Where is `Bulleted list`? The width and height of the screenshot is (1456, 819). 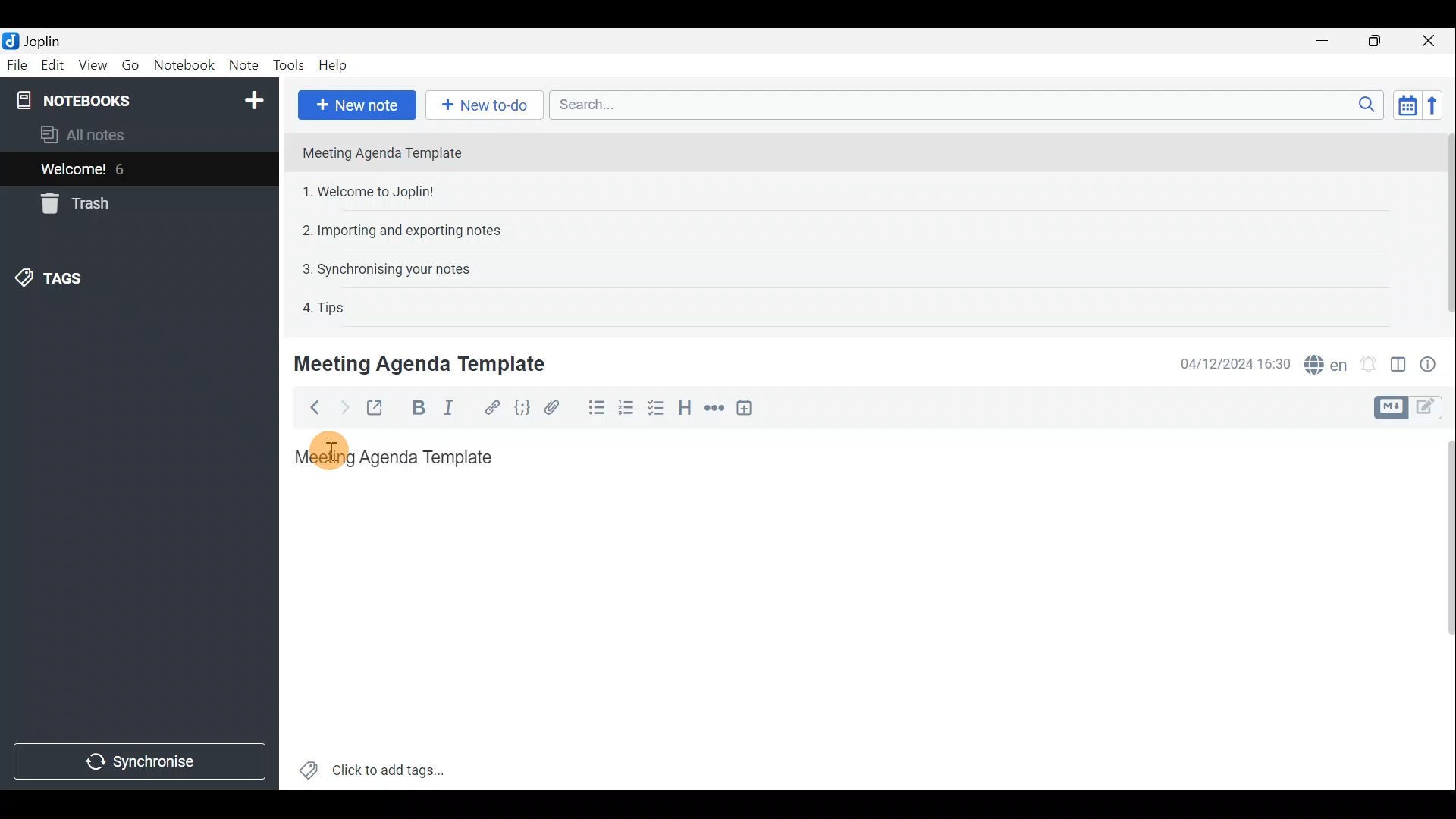
Bulleted list is located at coordinates (595, 408).